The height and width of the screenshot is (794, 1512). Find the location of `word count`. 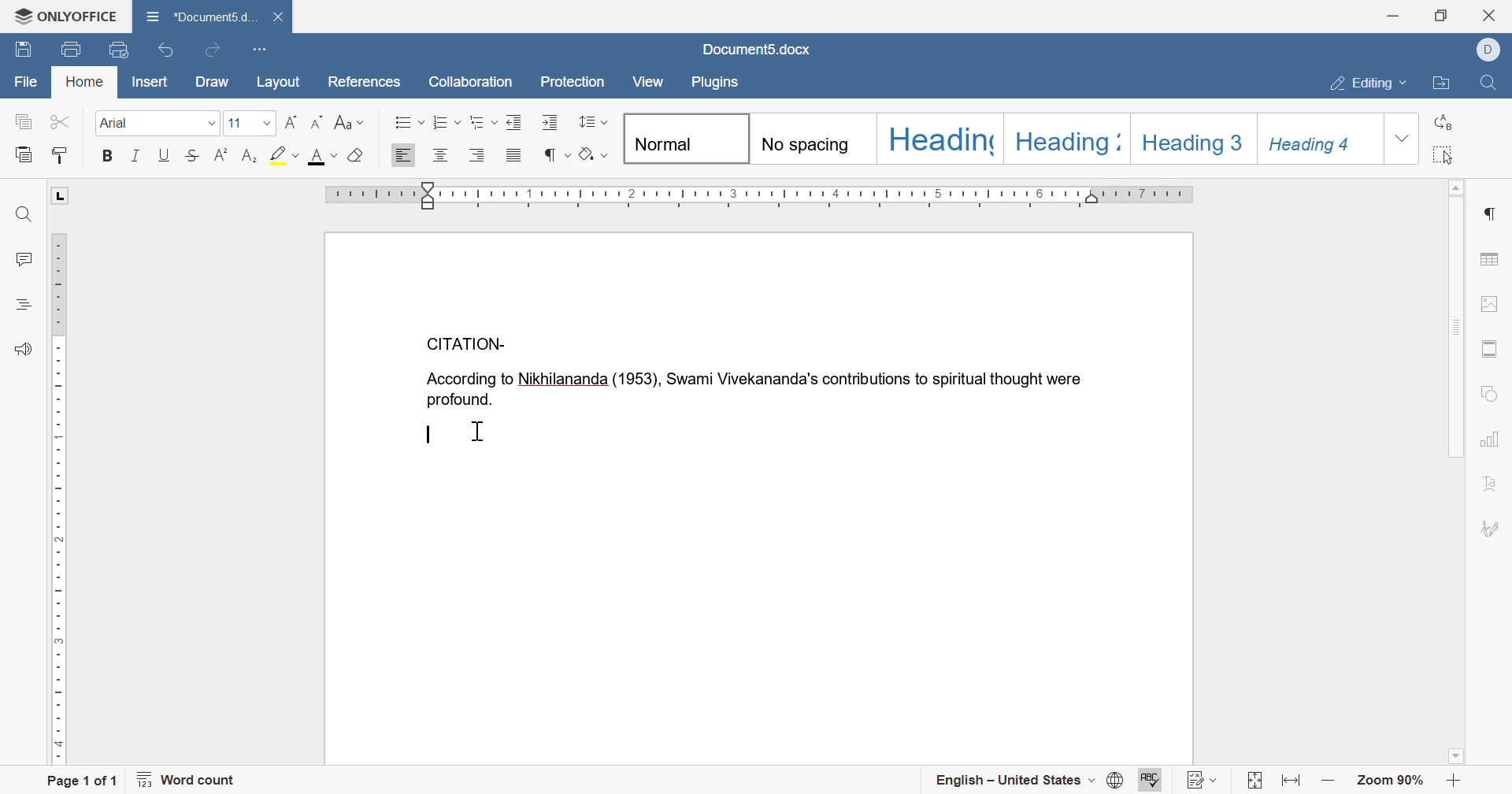

word count is located at coordinates (187, 781).